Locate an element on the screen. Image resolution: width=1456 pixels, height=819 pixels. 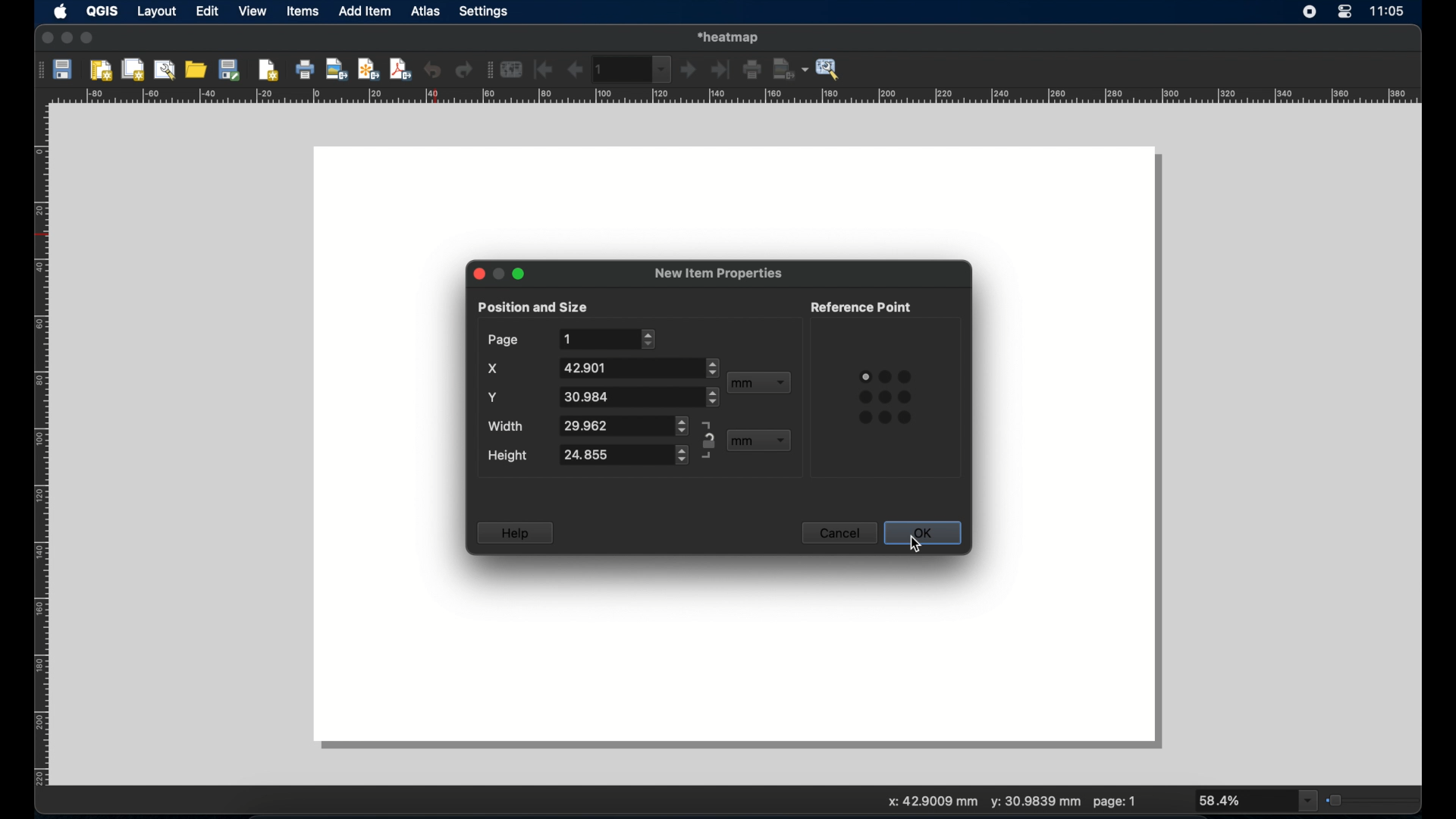
Y is located at coordinates (495, 396).